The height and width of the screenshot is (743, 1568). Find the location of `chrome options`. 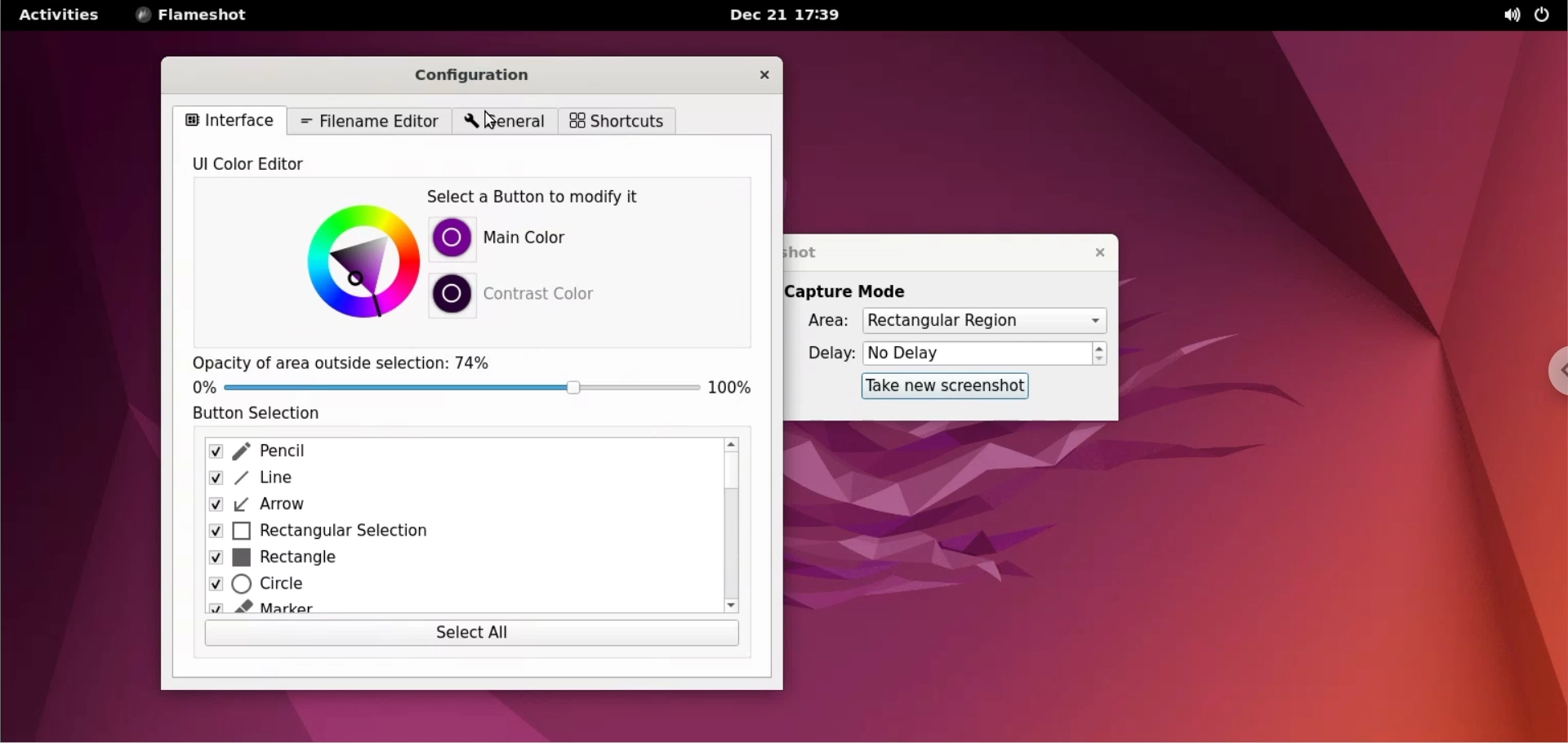

chrome options is located at coordinates (1550, 372).